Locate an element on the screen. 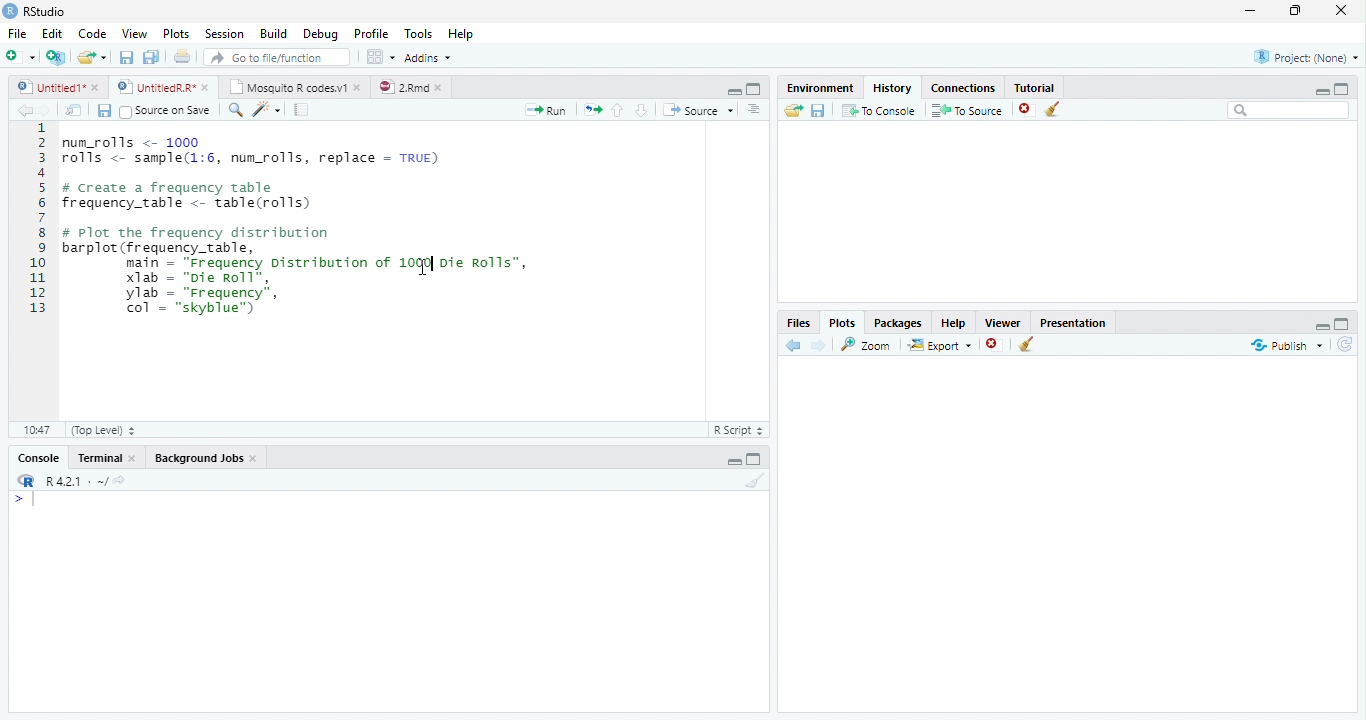  Full Screen is located at coordinates (755, 88).